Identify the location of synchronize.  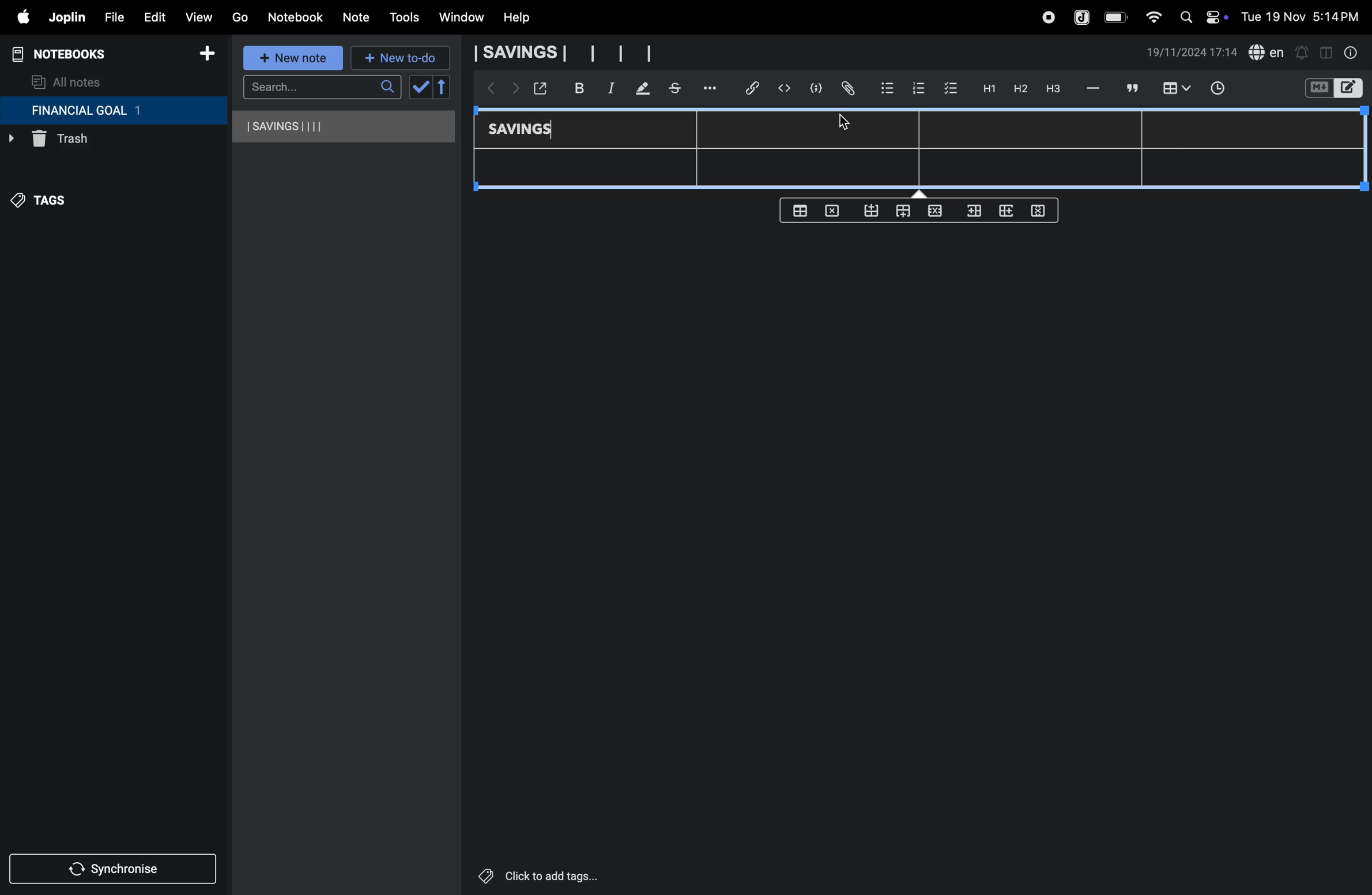
(114, 867).